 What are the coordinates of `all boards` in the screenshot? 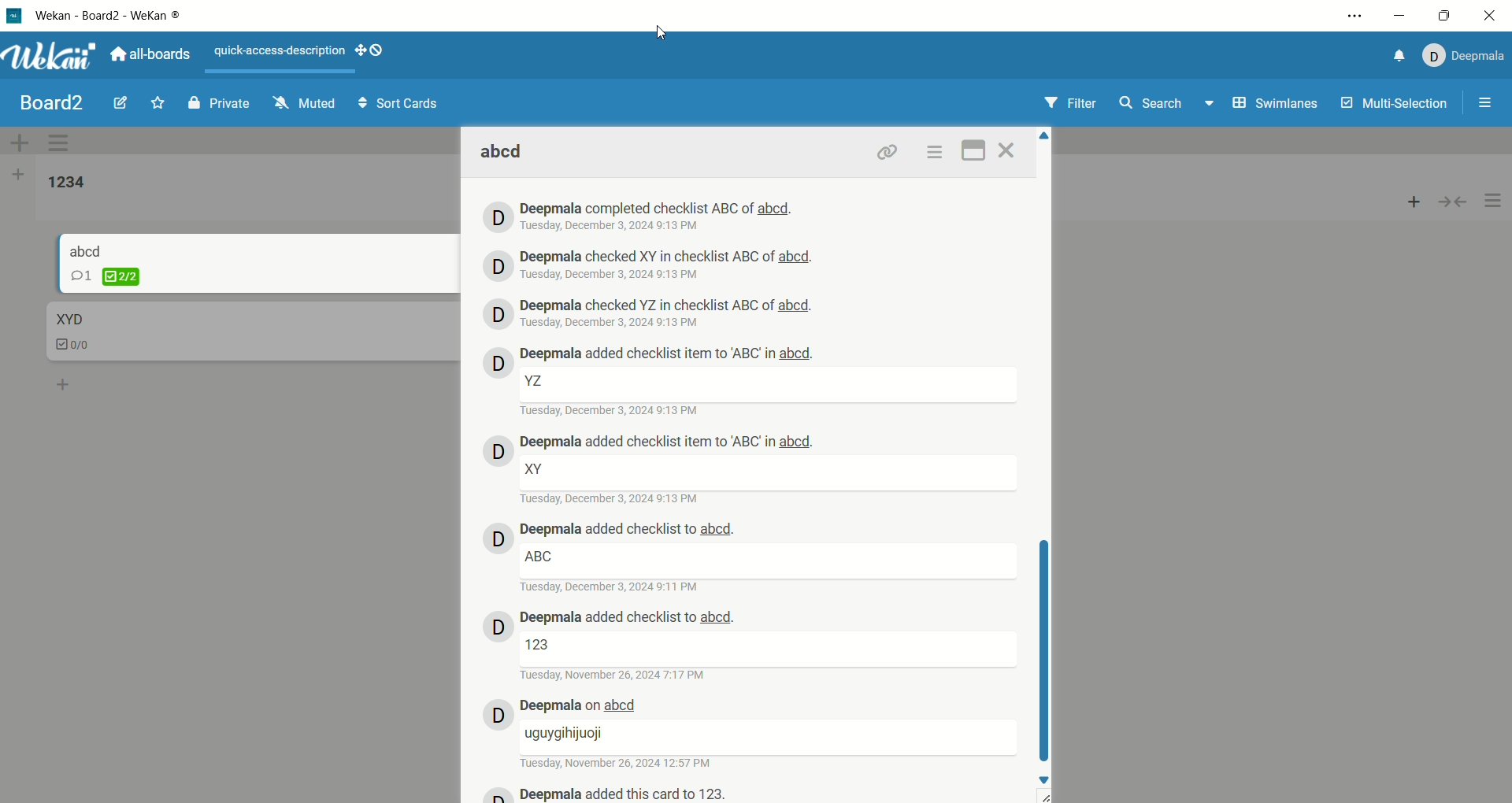 It's located at (150, 53).